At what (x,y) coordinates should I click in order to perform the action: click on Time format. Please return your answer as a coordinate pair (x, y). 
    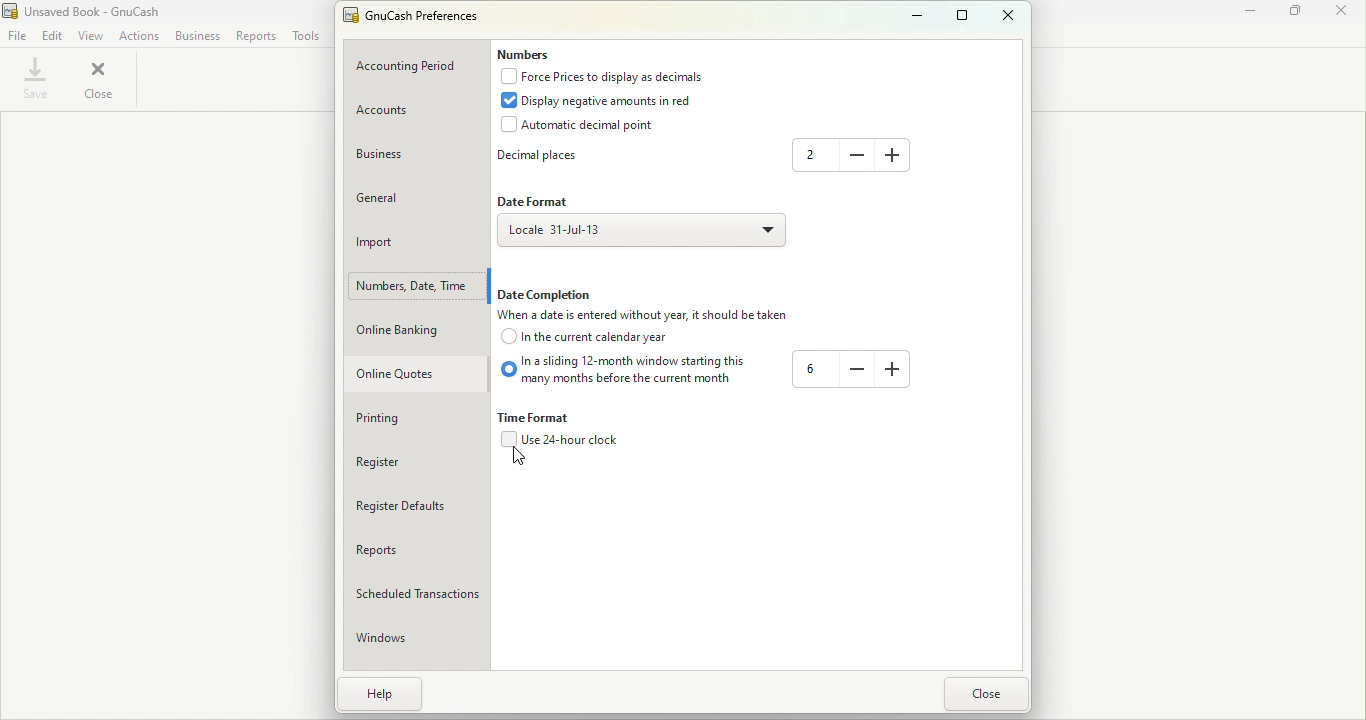
    Looking at the image, I should click on (531, 417).